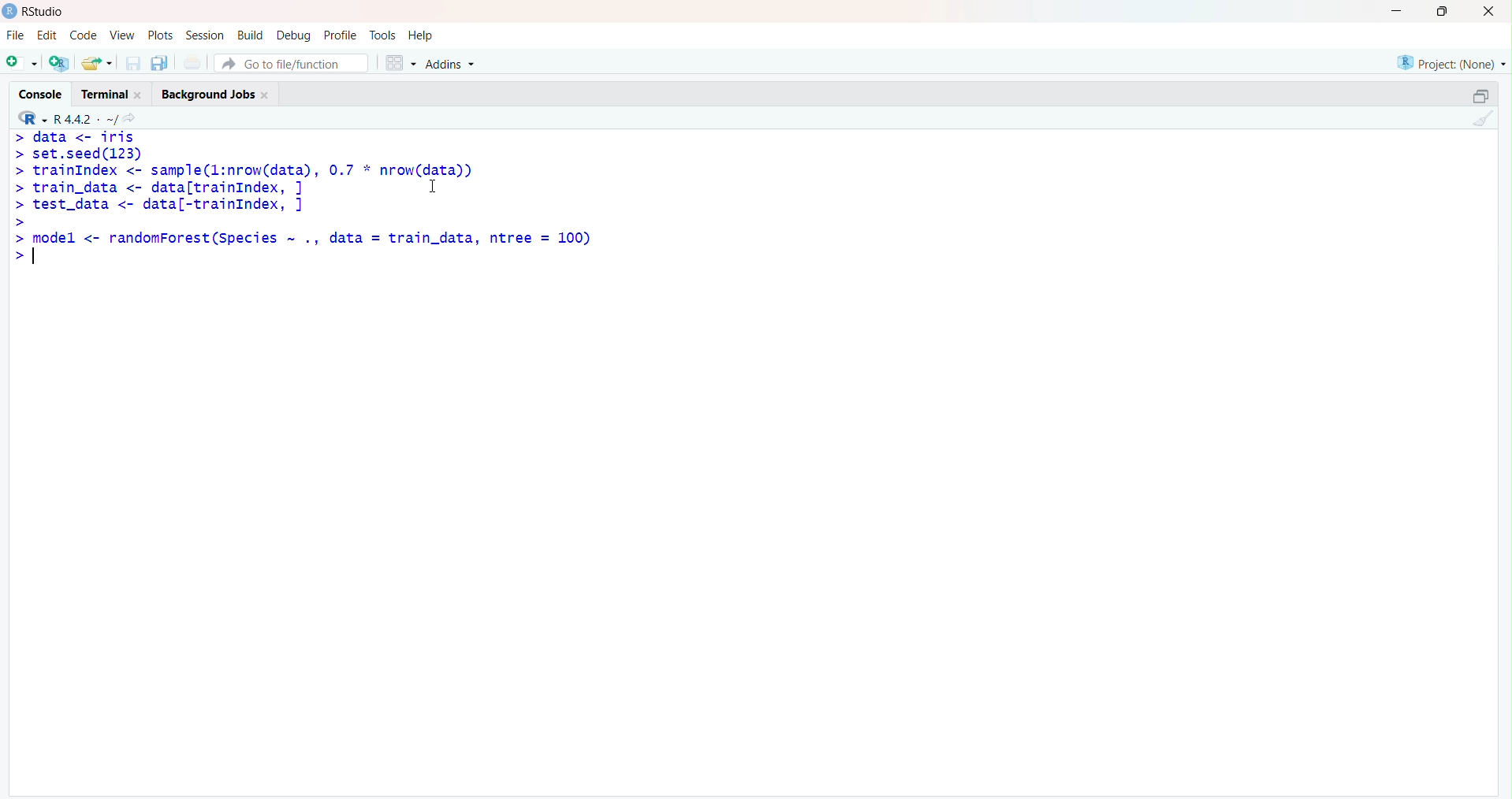  Describe the element at coordinates (19, 205) in the screenshot. I see `Prompt cursor` at that location.